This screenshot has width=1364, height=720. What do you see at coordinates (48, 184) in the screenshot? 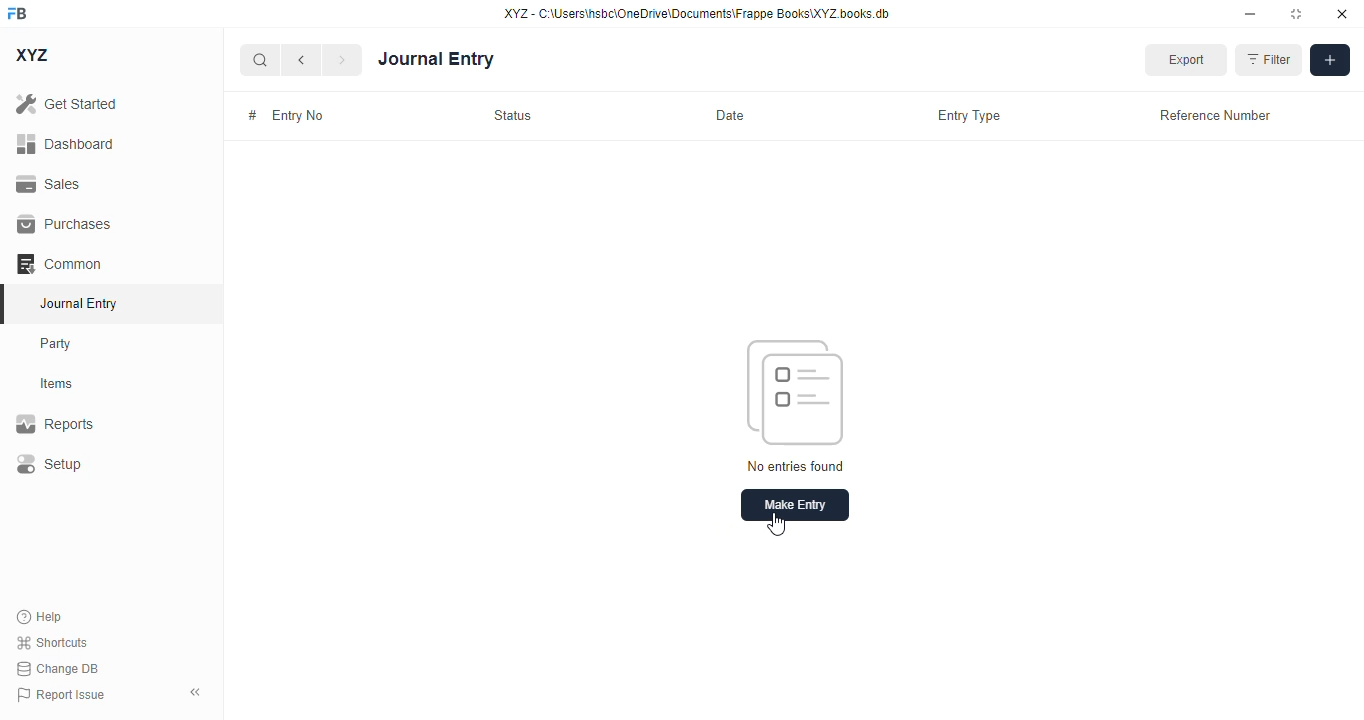
I see `sales` at bounding box center [48, 184].